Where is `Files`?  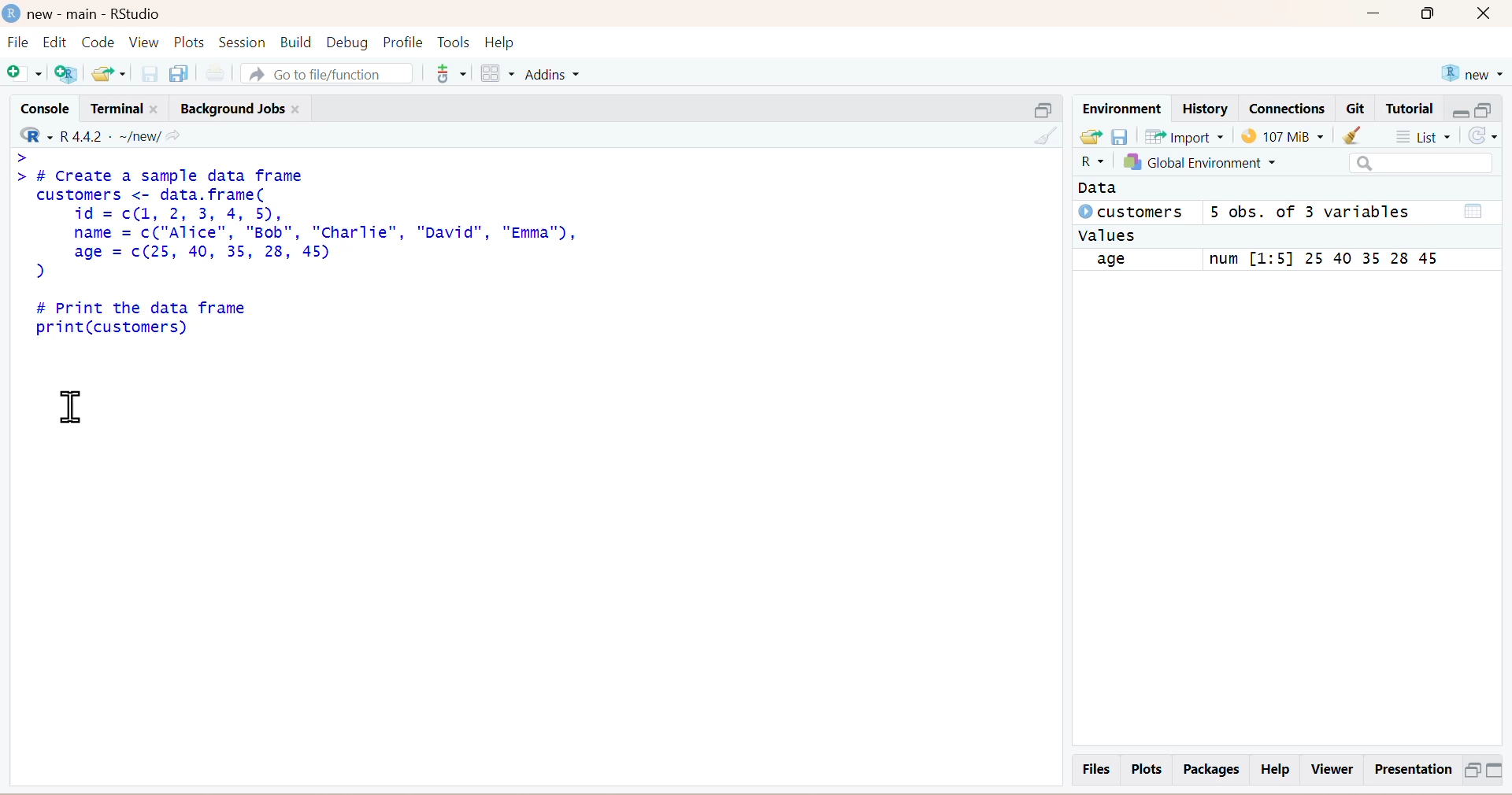 Files is located at coordinates (1094, 768).